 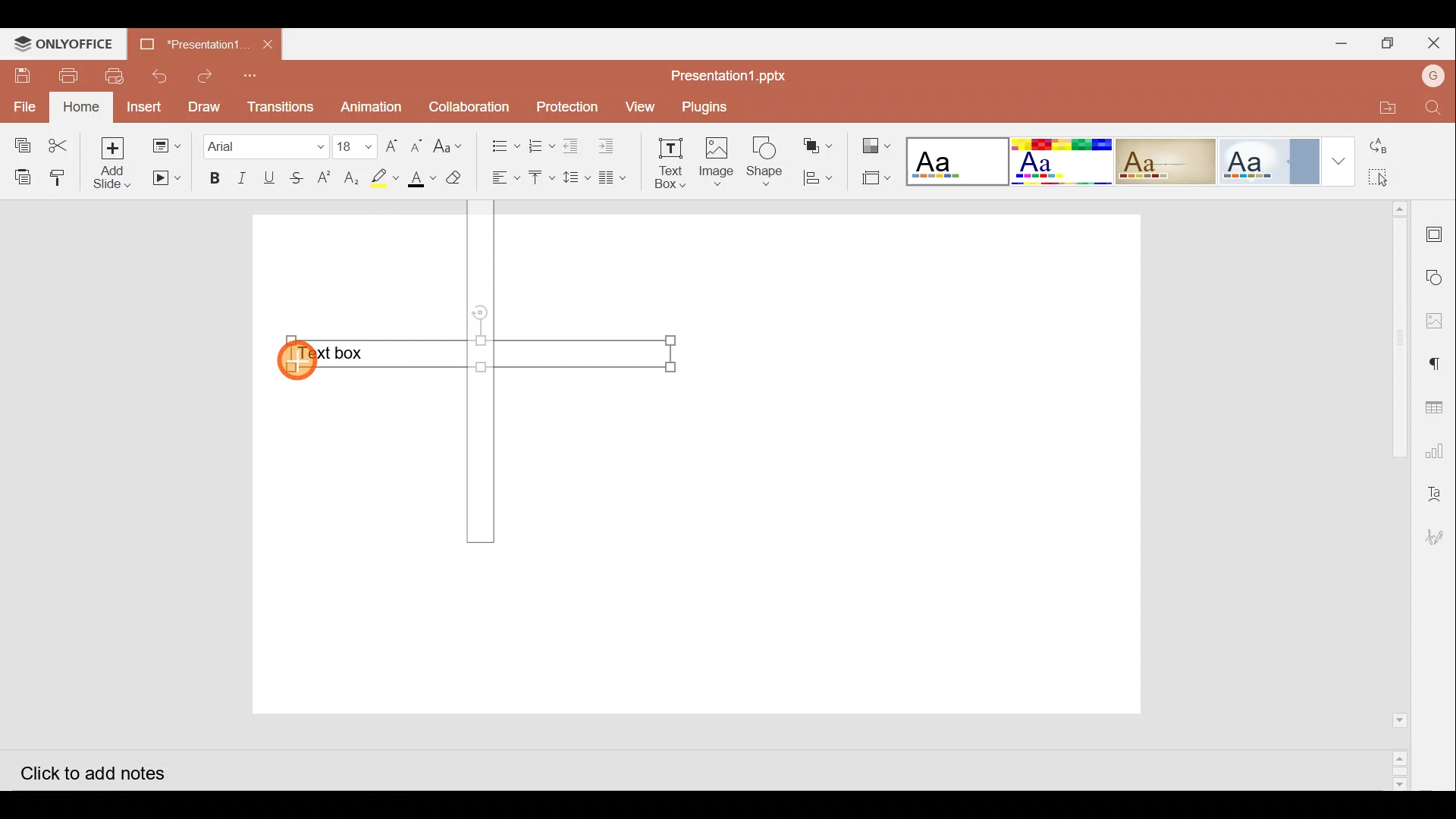 What do you see at coordinates (451, 143) in the screenshot?
I see `Change case` at bounding box center [451, 143].